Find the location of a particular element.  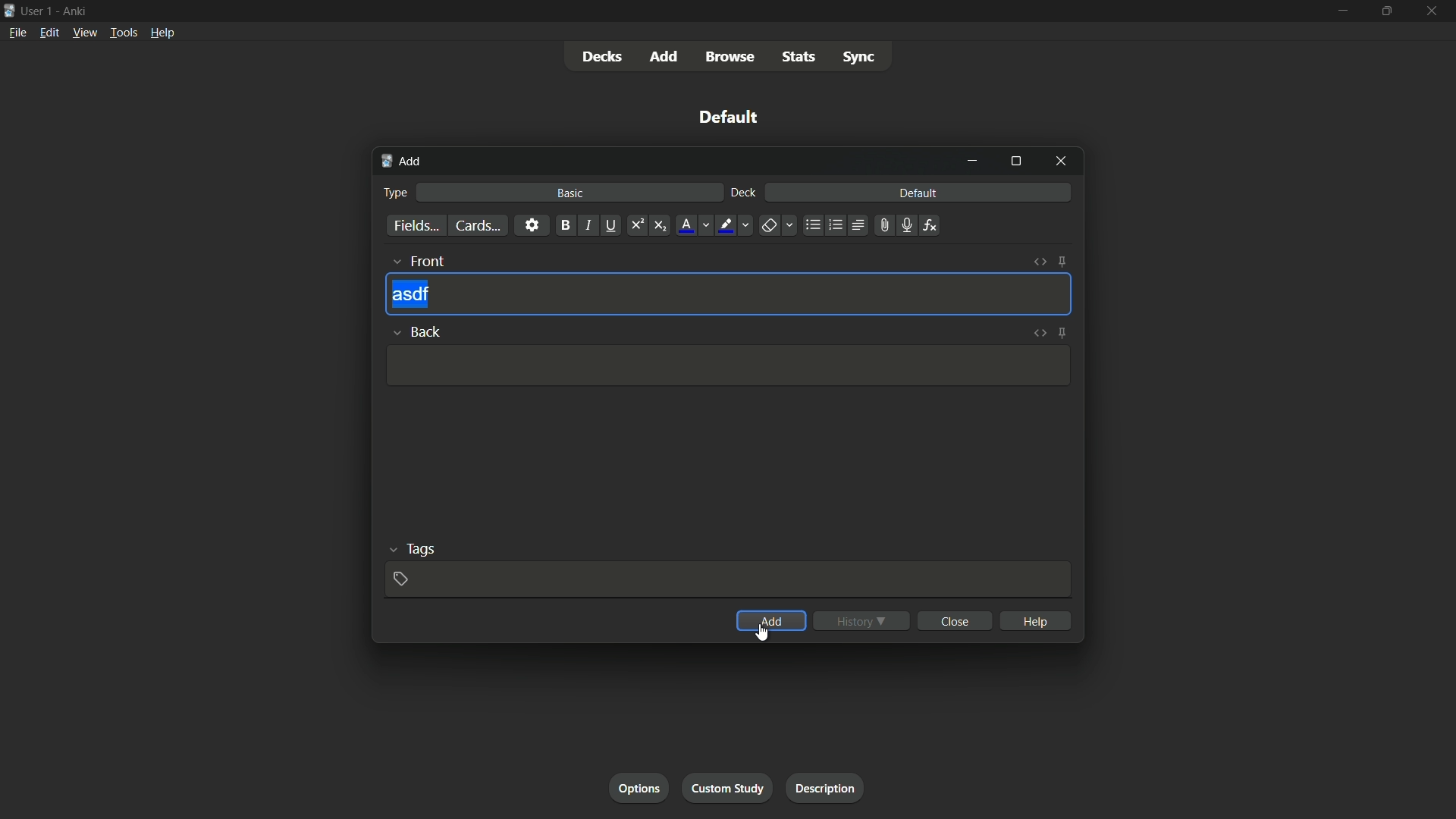

toggle sticky is located at coordinates (1063, 262).